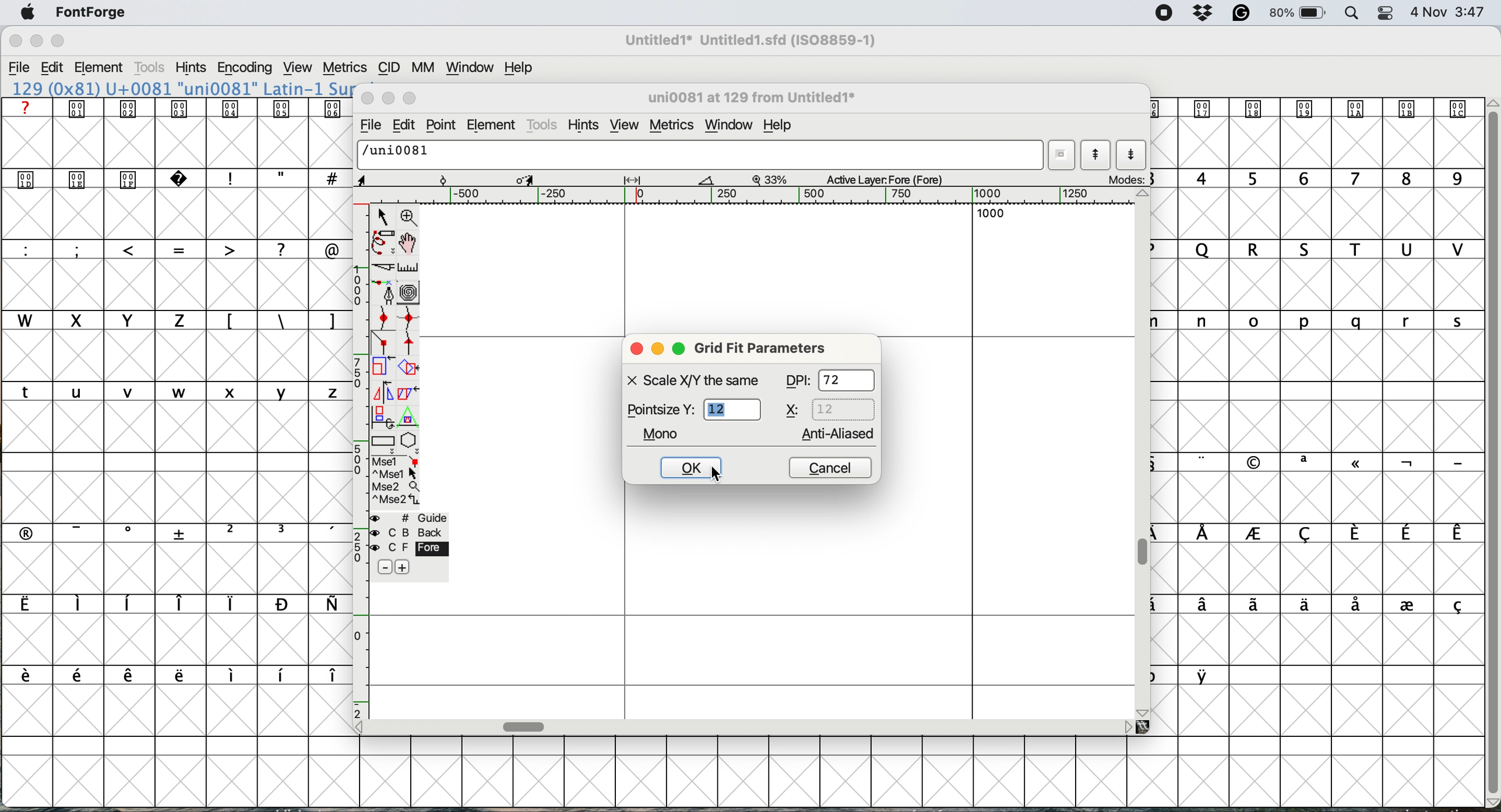 This screenshot has width=1501, height=812. What do you see at coordinates (38, 41) in the screenshot?
I see `Minimize` at bounding box center [38, 41].